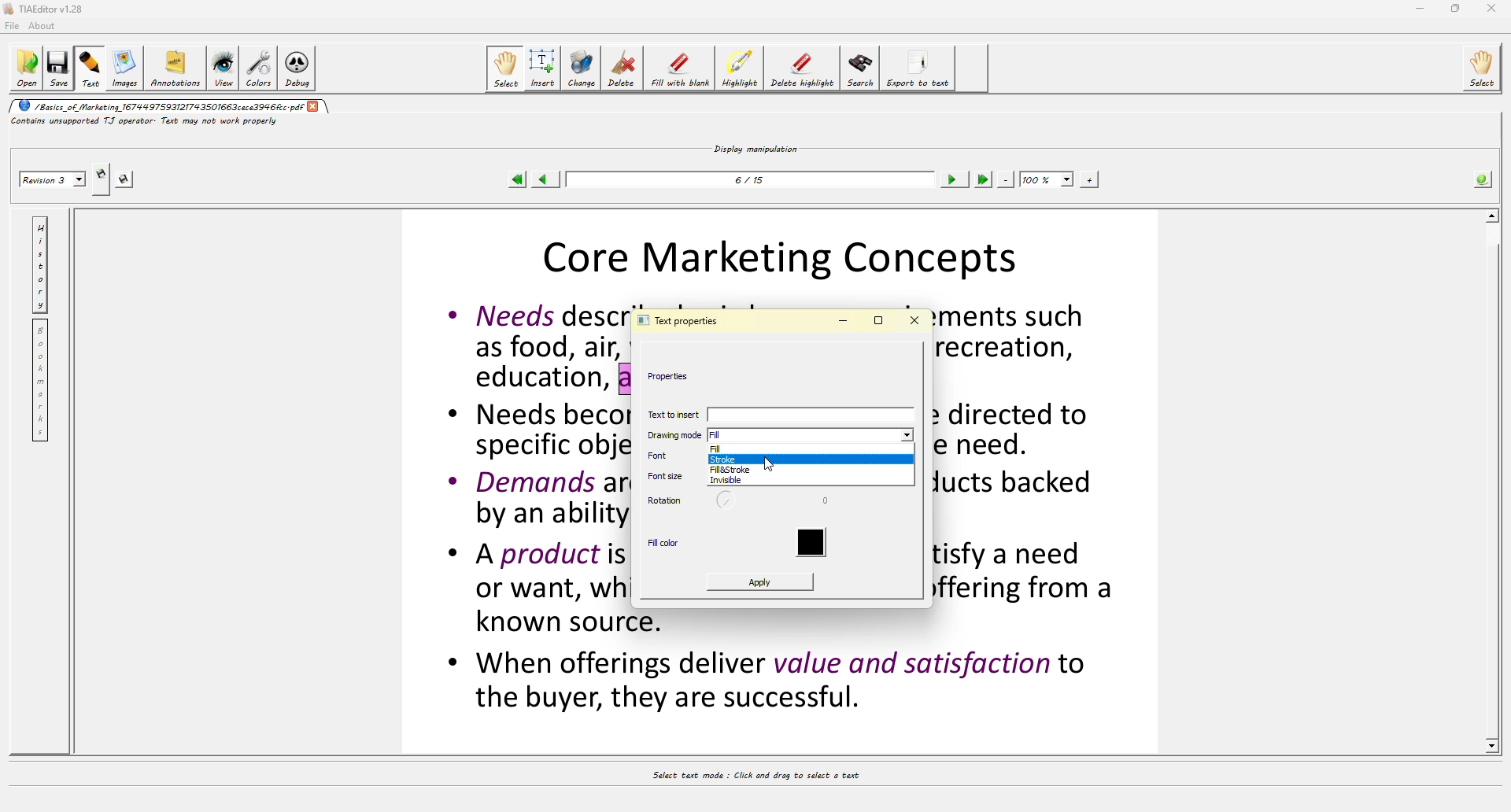  Describe the element at coordinates (675, 376) in the screenshot. I see `properties` at that location.